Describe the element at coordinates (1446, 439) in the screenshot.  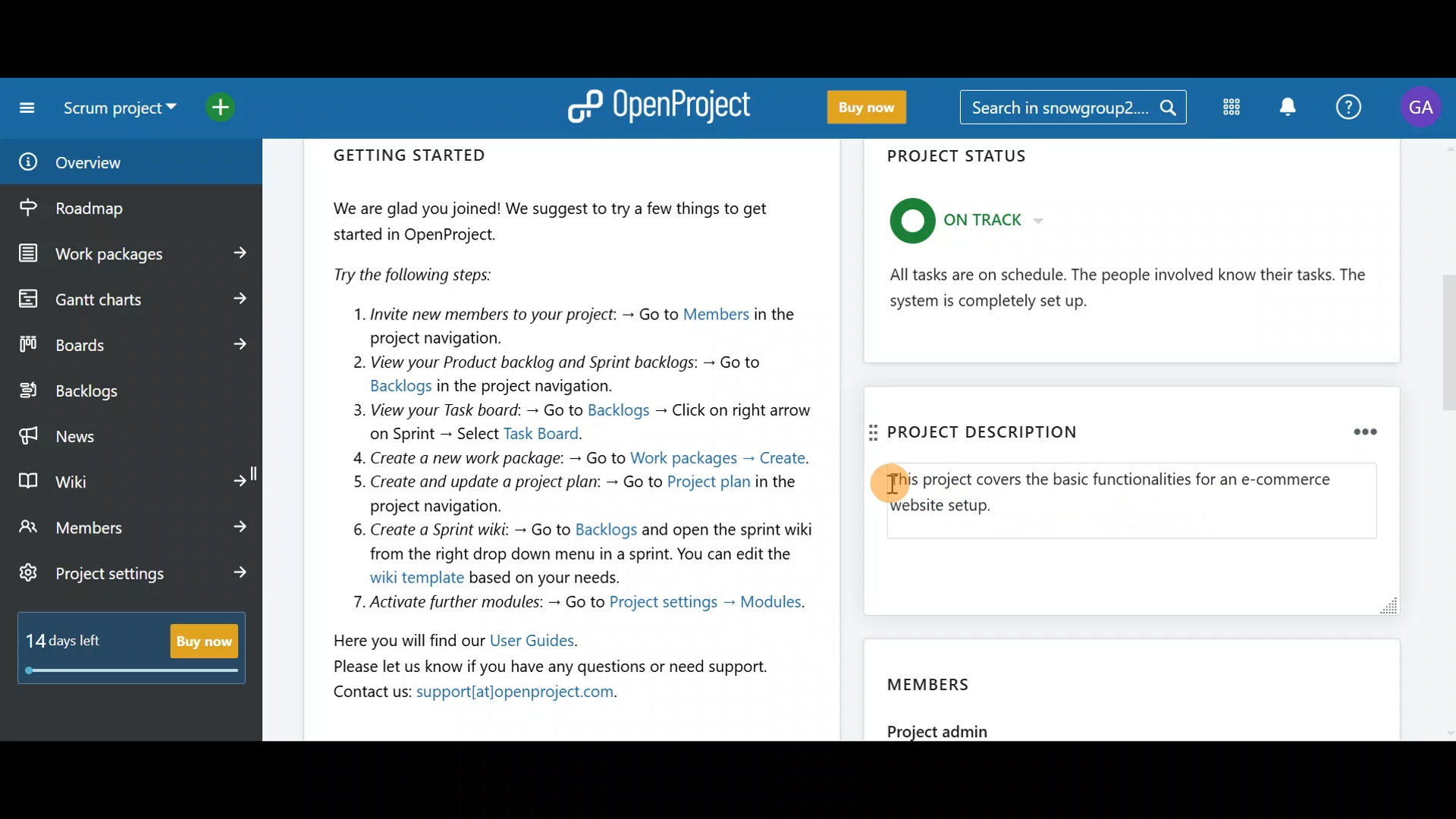
I see `scroll bar` at that location.